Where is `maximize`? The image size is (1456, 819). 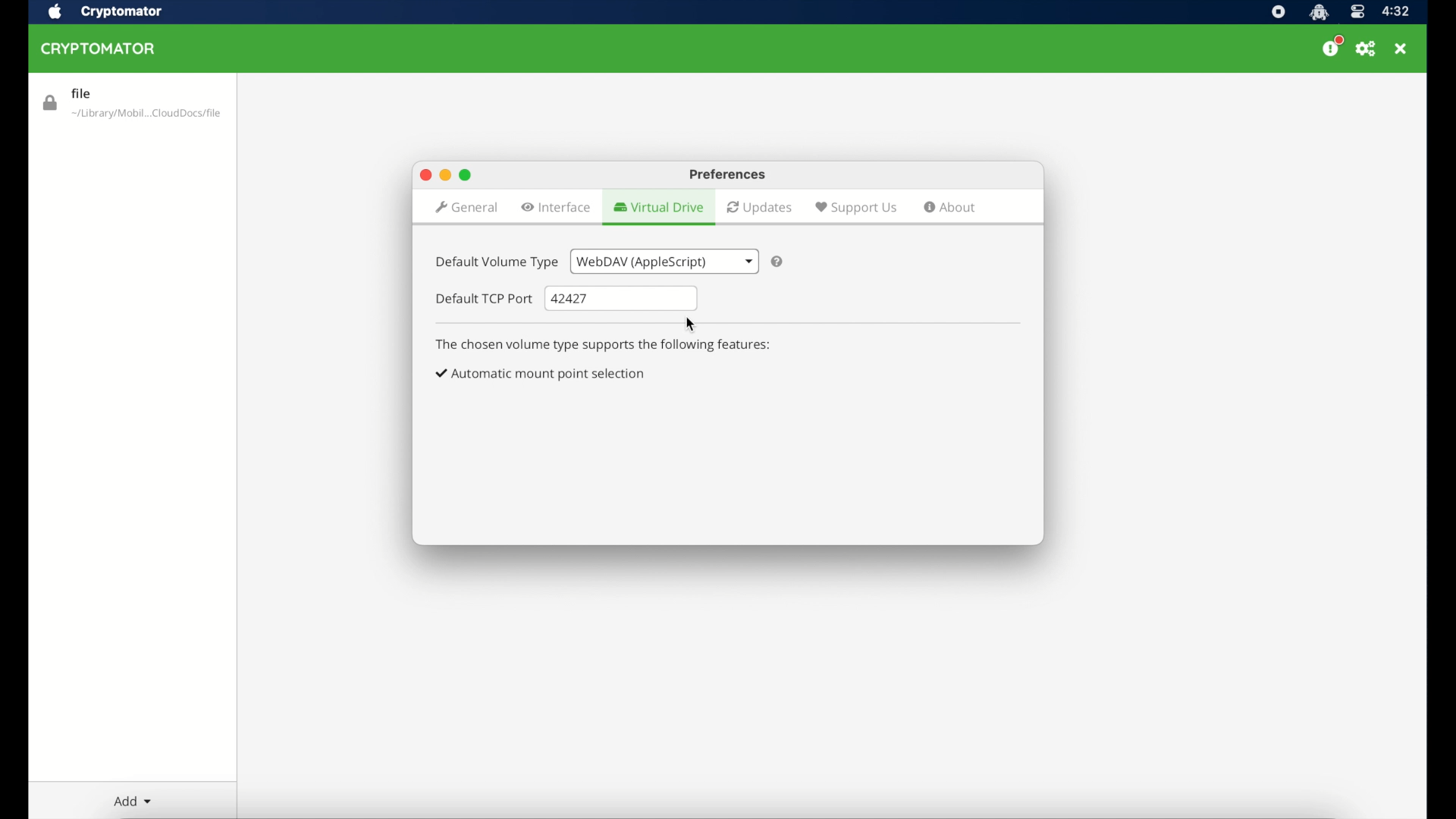
maximize is located at coordinates (467, 174).